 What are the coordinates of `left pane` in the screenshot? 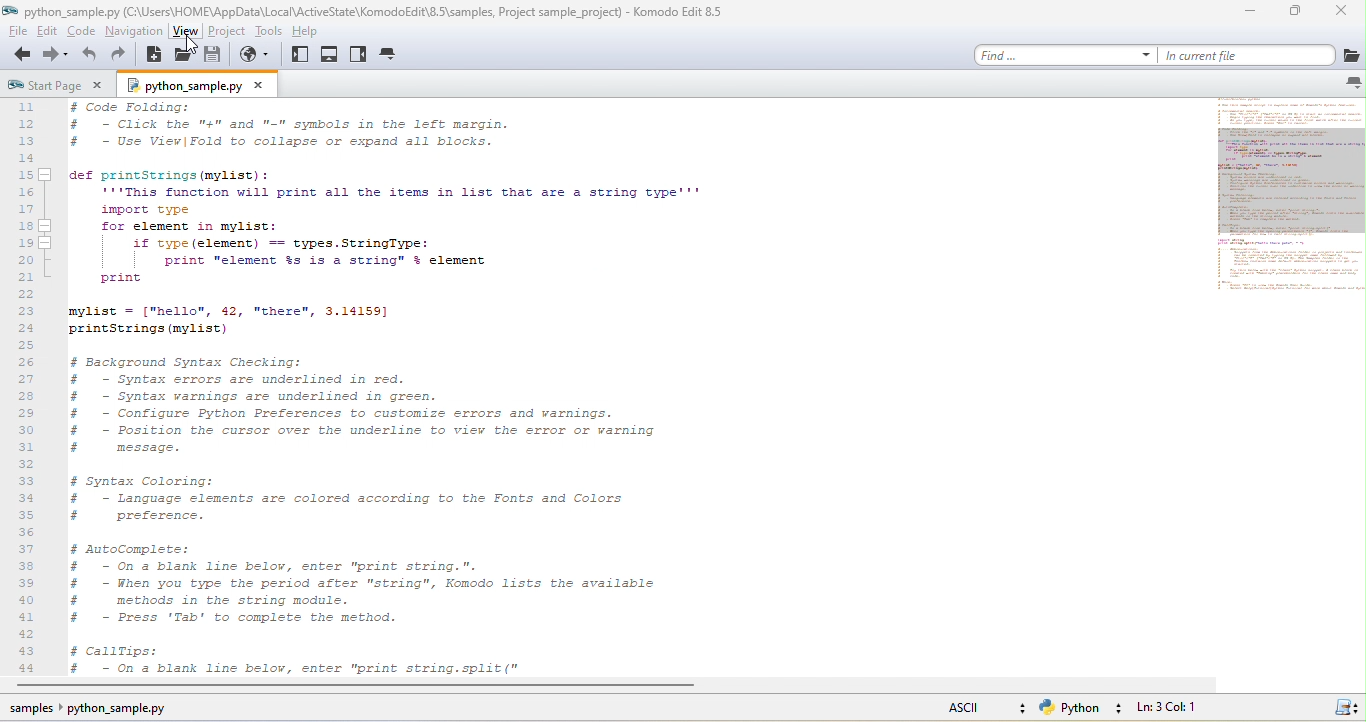 It's located at (296, 54).